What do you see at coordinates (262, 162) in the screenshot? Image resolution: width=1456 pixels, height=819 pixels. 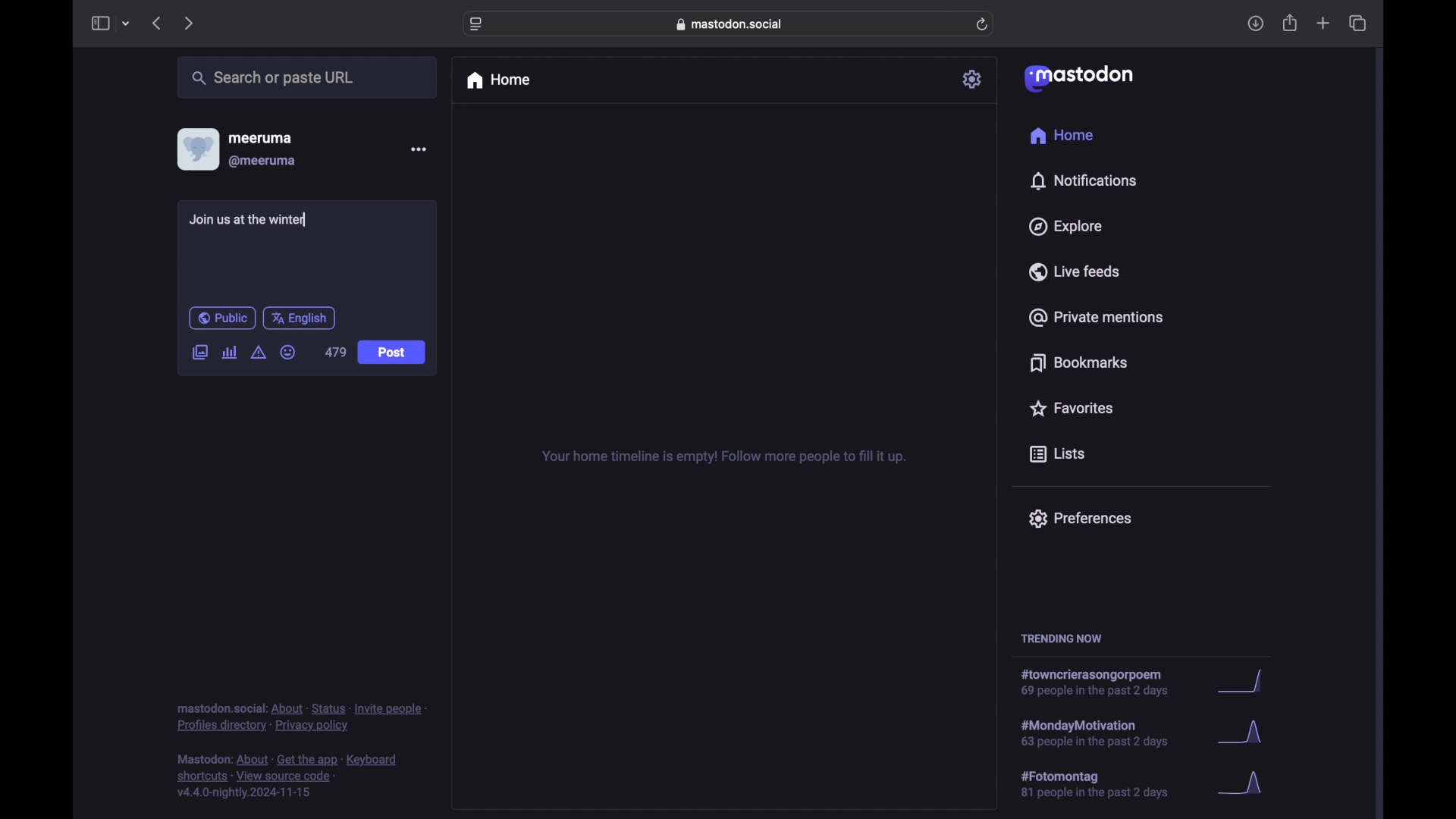 I see `@meeruma` at bounding box center [262, 162].